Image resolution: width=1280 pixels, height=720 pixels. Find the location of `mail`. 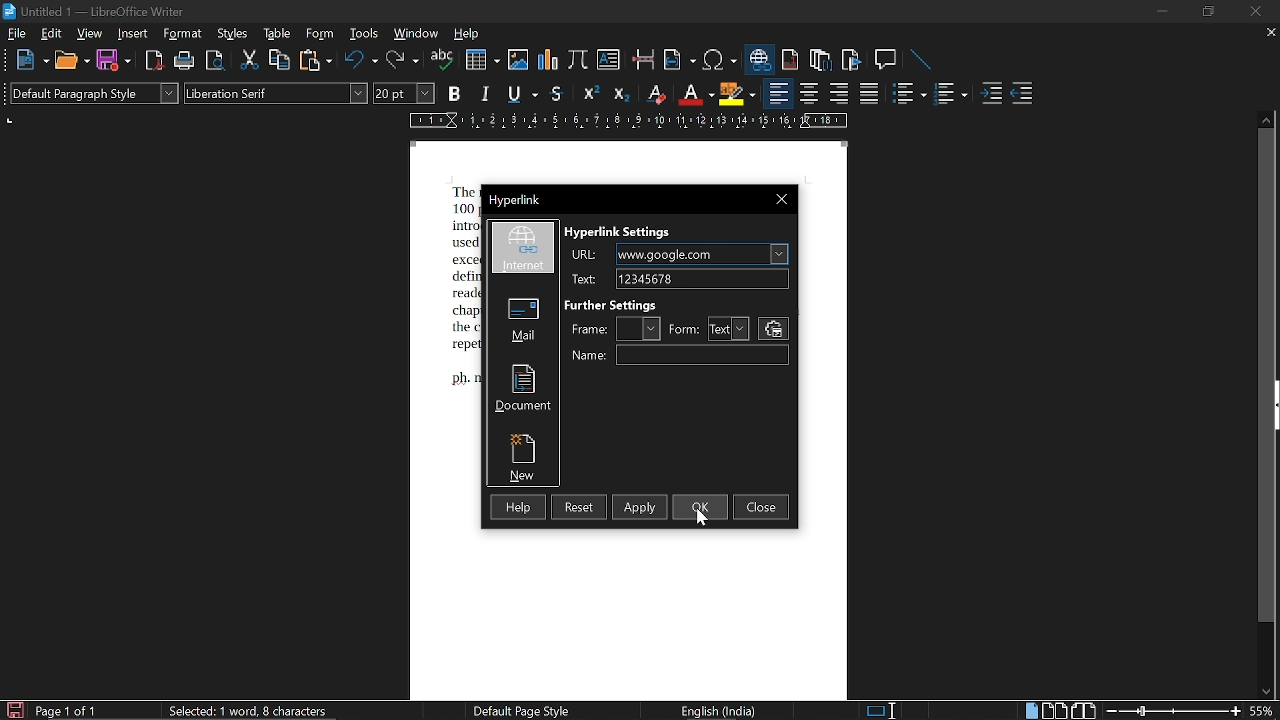

mail is located at coordinates (523, 317).